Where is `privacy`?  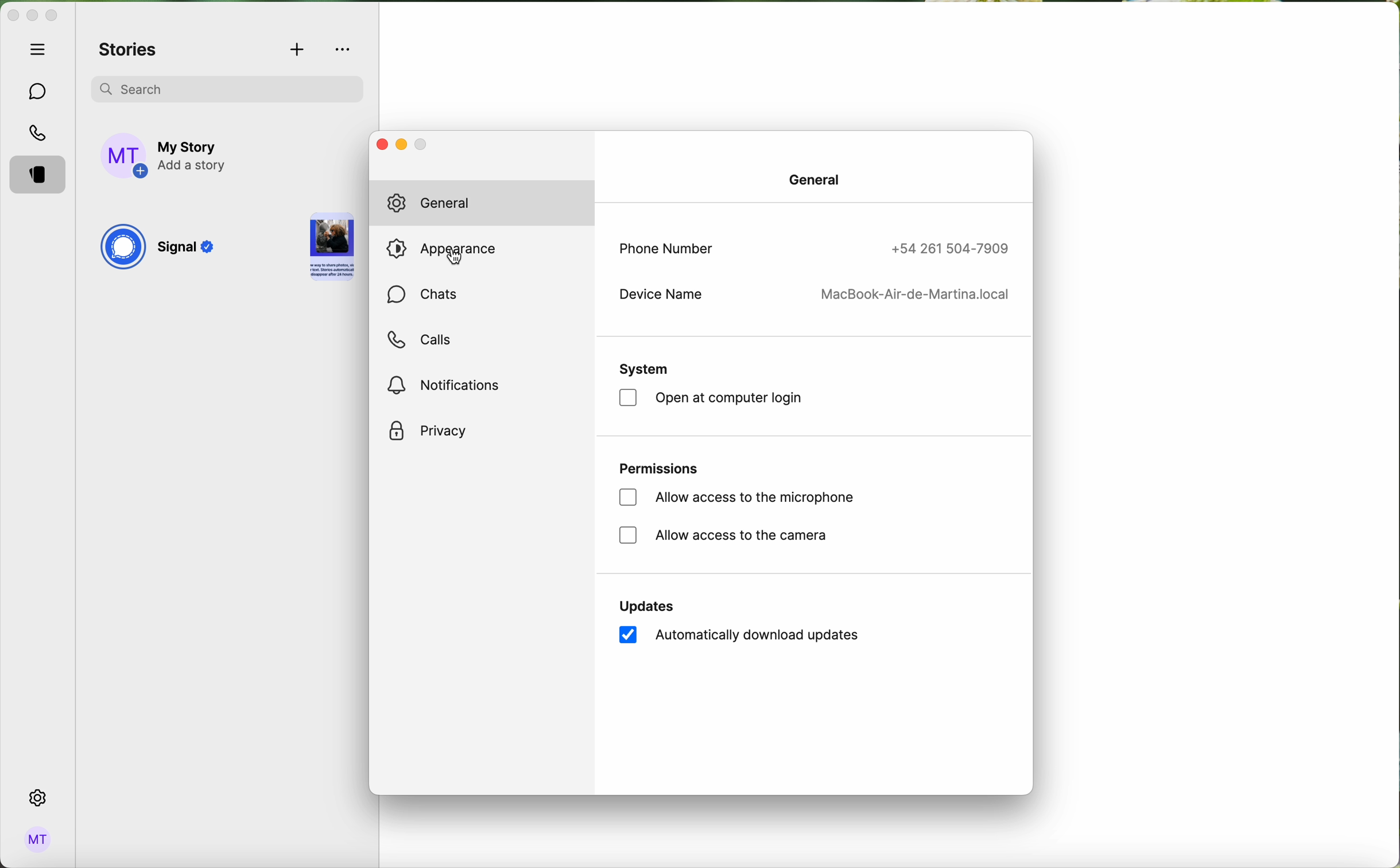
privacy is located at coordinates (428, 432).